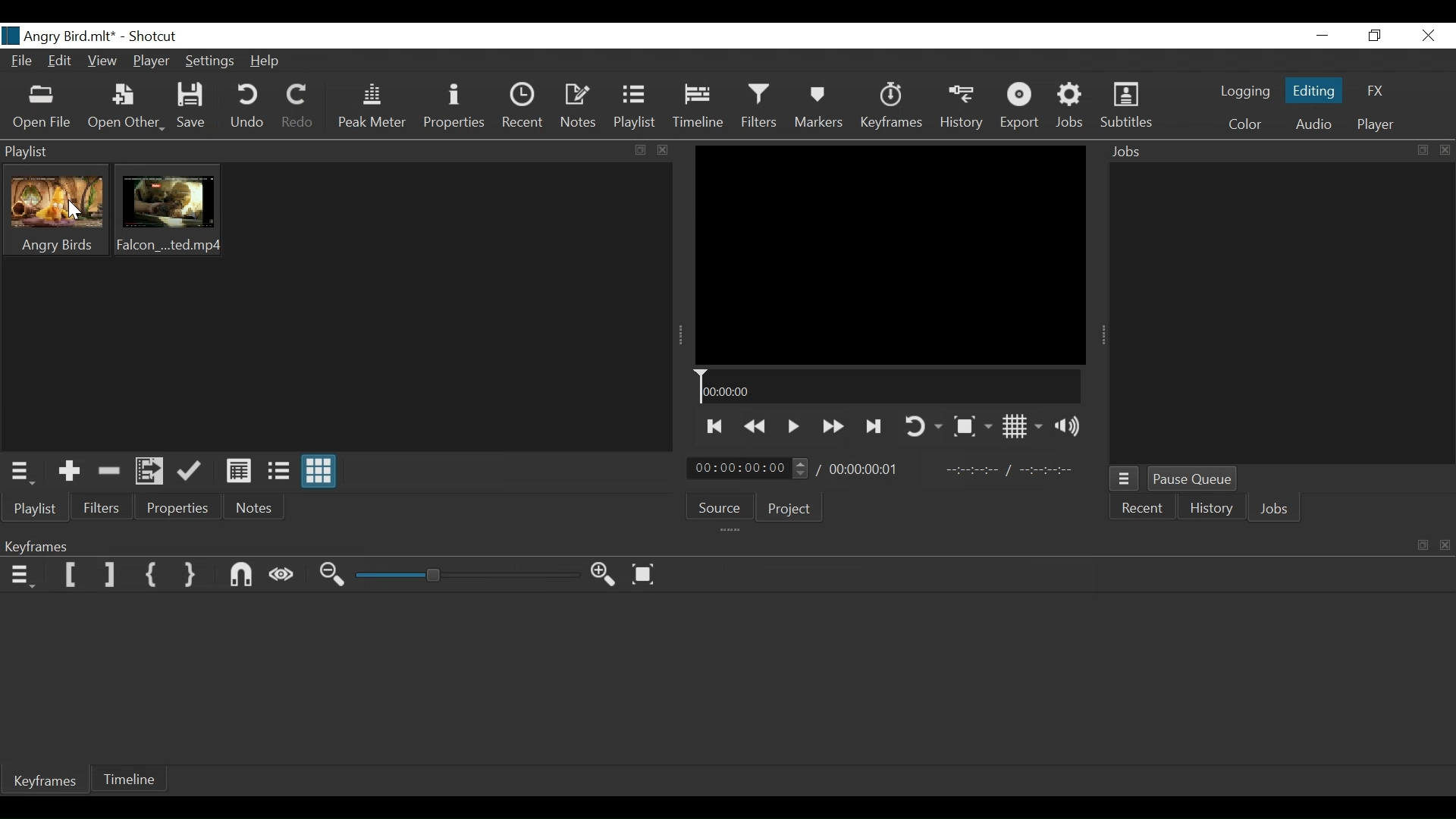 This screenshot has height=819, width=1456. I want to click on Keyframes, so click(47, 783).